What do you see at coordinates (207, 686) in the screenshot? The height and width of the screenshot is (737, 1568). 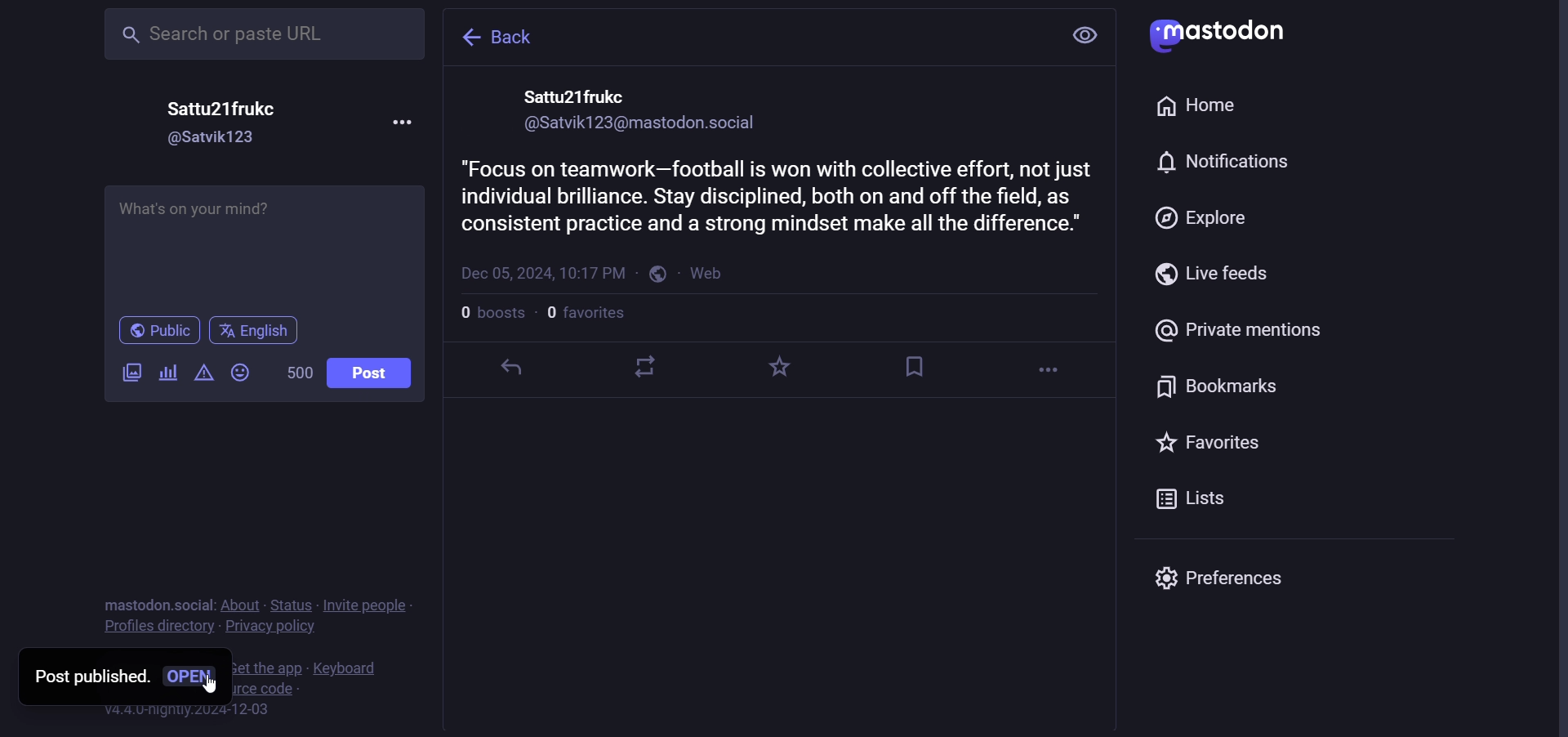 I see `cursor` at bounding box center [207, 686].